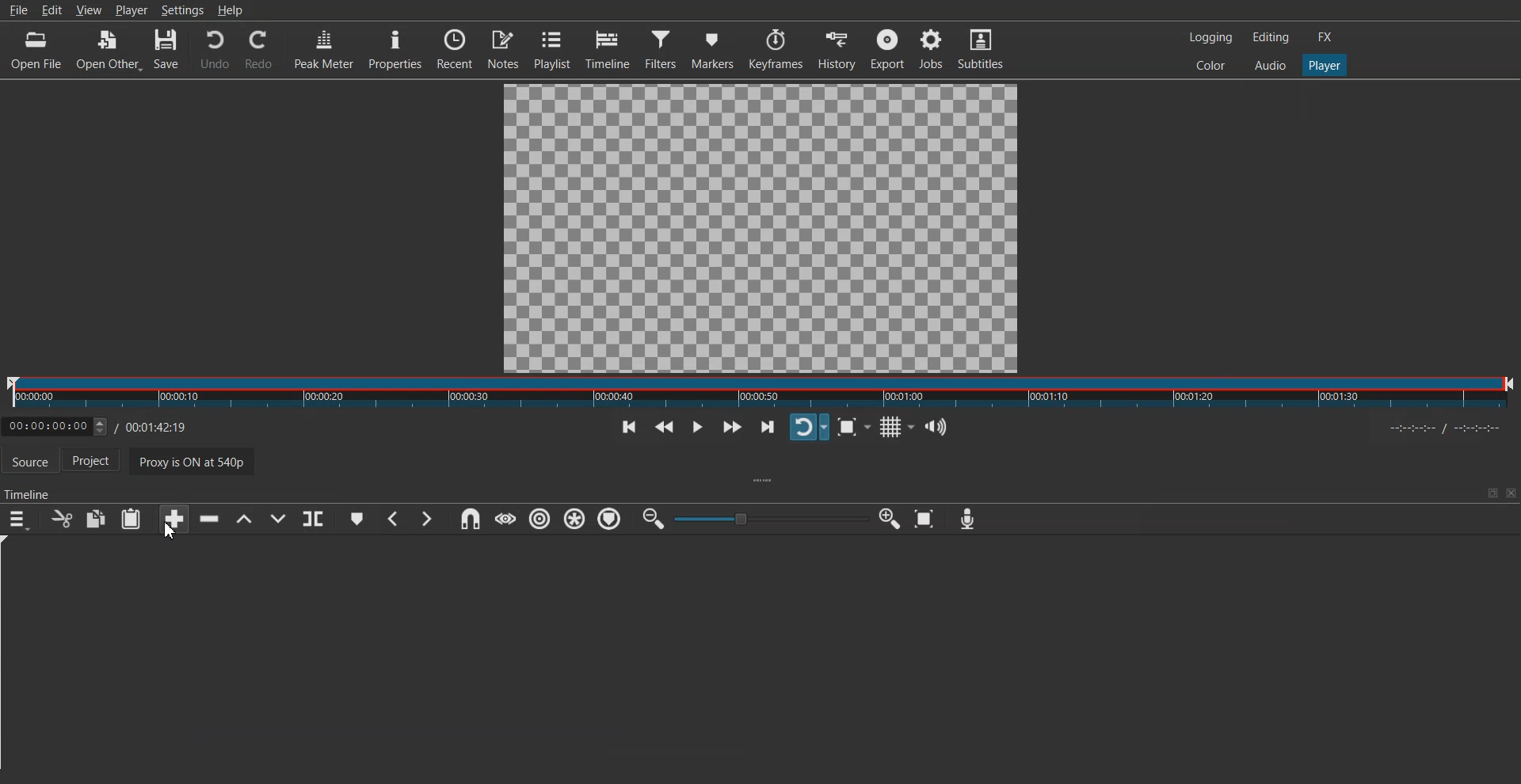  Describe the element at coordinates (470, 519) in the screenshot. I see `Snap` at that location.